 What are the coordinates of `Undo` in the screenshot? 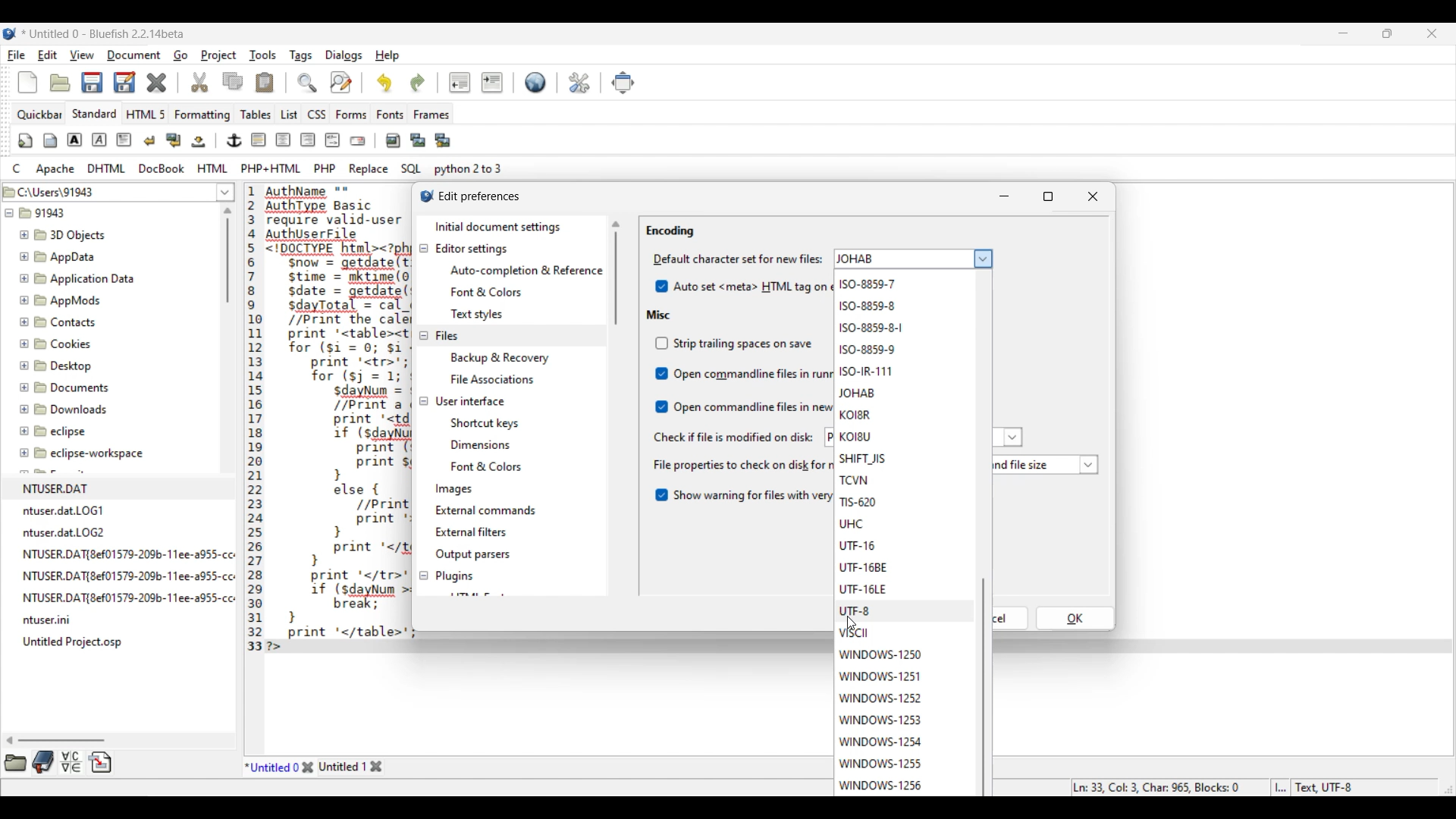 It's located at (384, 83).